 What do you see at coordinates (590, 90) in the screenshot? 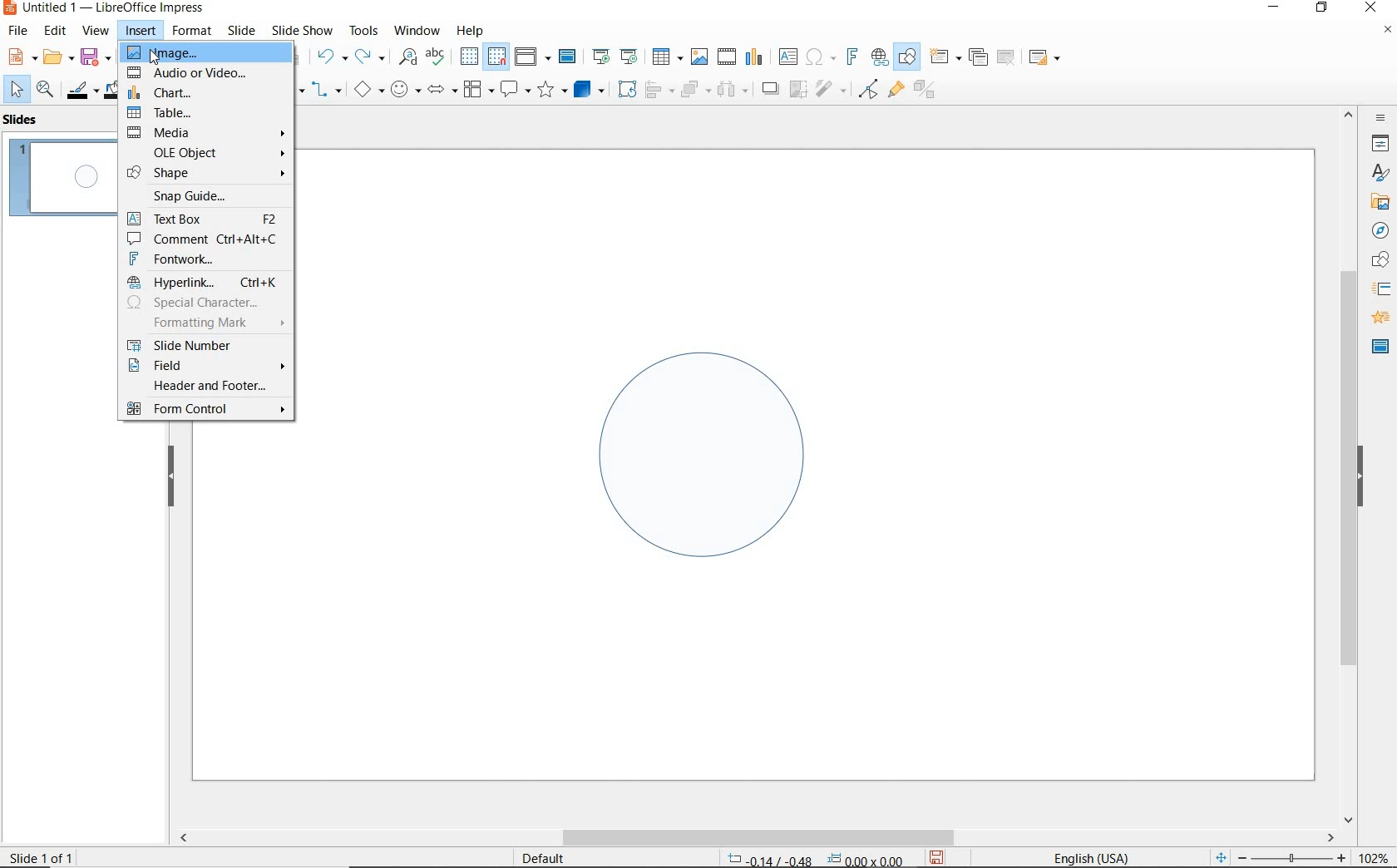
I see `3d objects` at bounding box center [590, 90].